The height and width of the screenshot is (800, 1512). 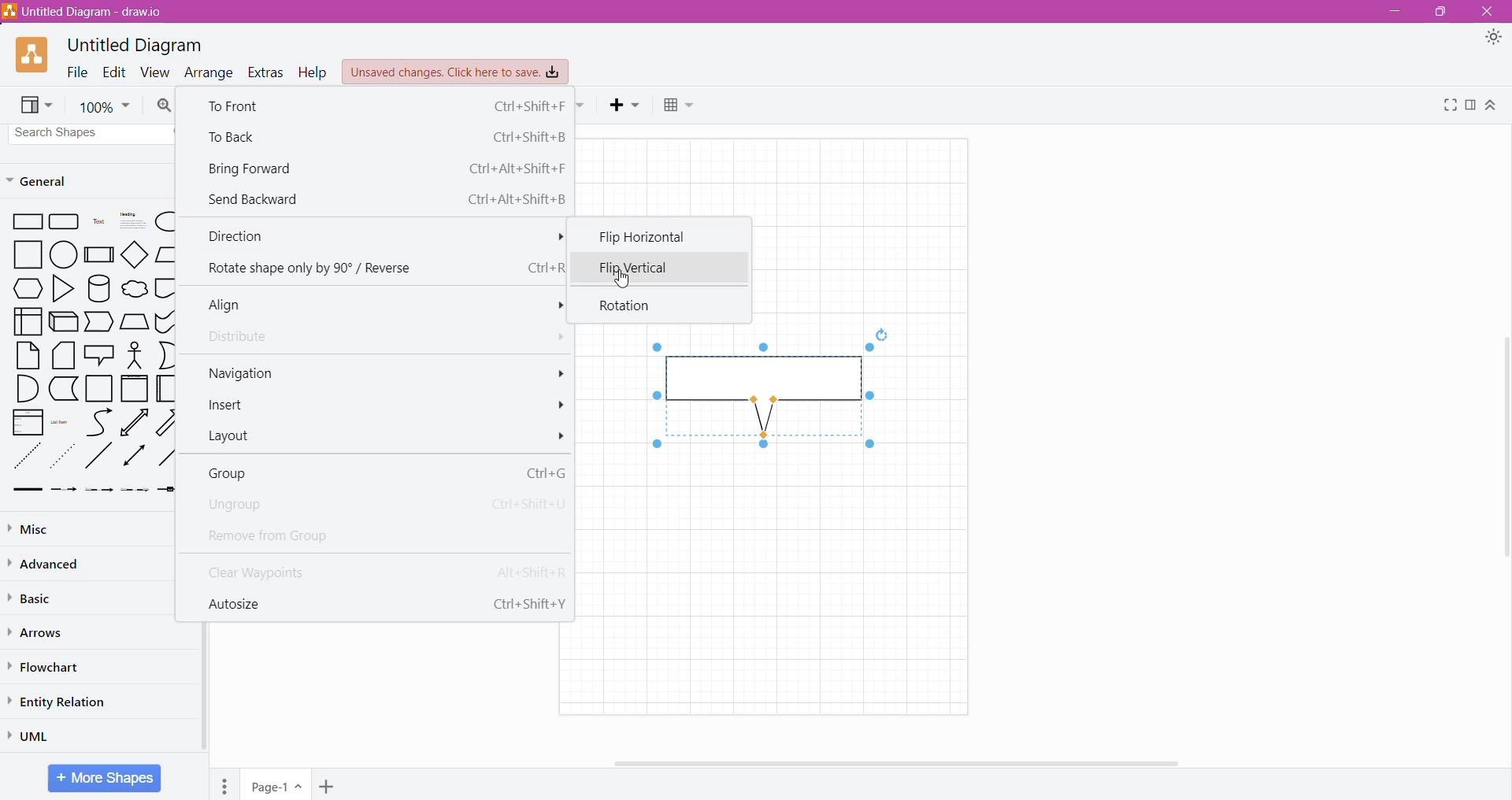 I want to click on Format, so click(x=1470, y=105).